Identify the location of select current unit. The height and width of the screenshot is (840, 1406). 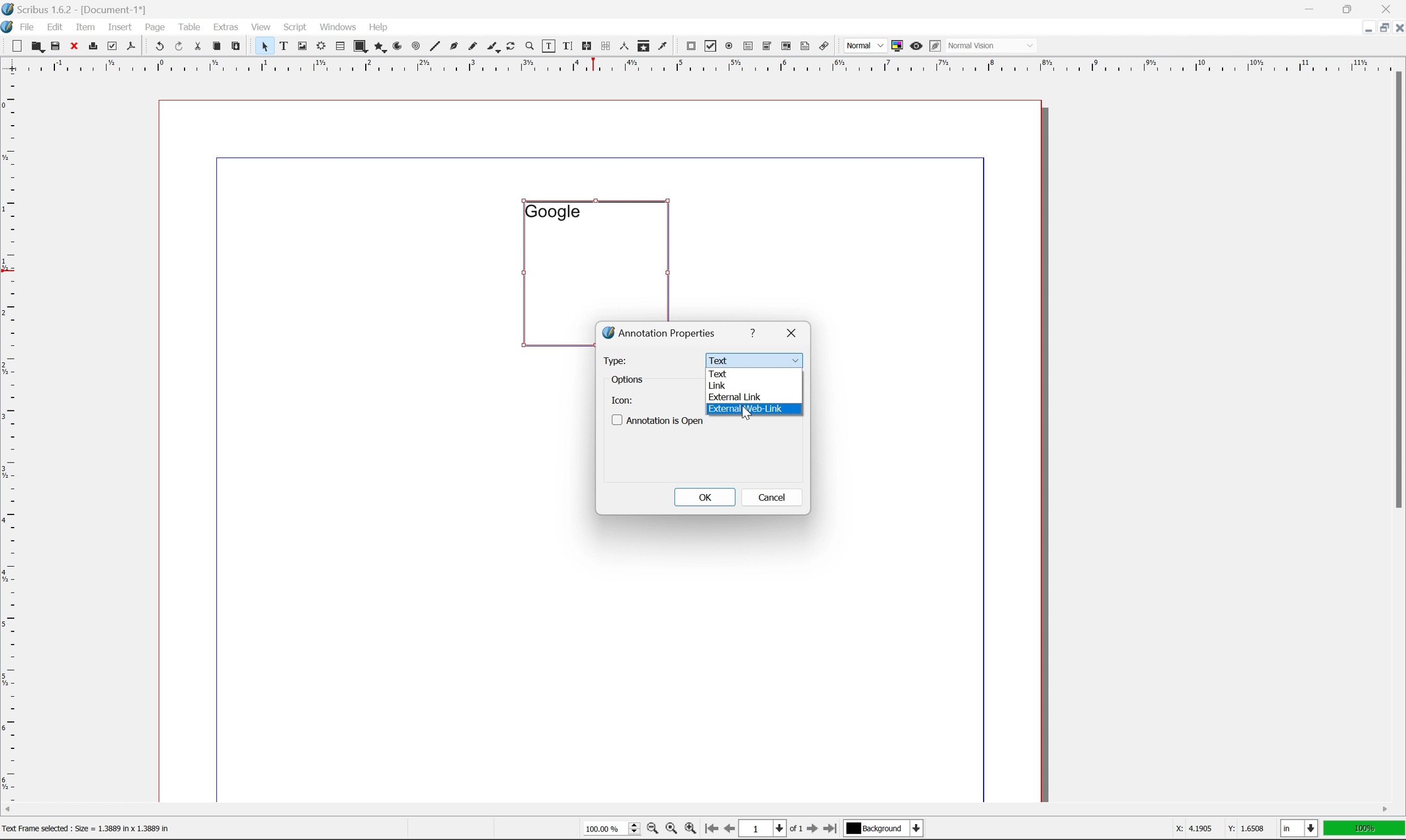
(1301, 829).